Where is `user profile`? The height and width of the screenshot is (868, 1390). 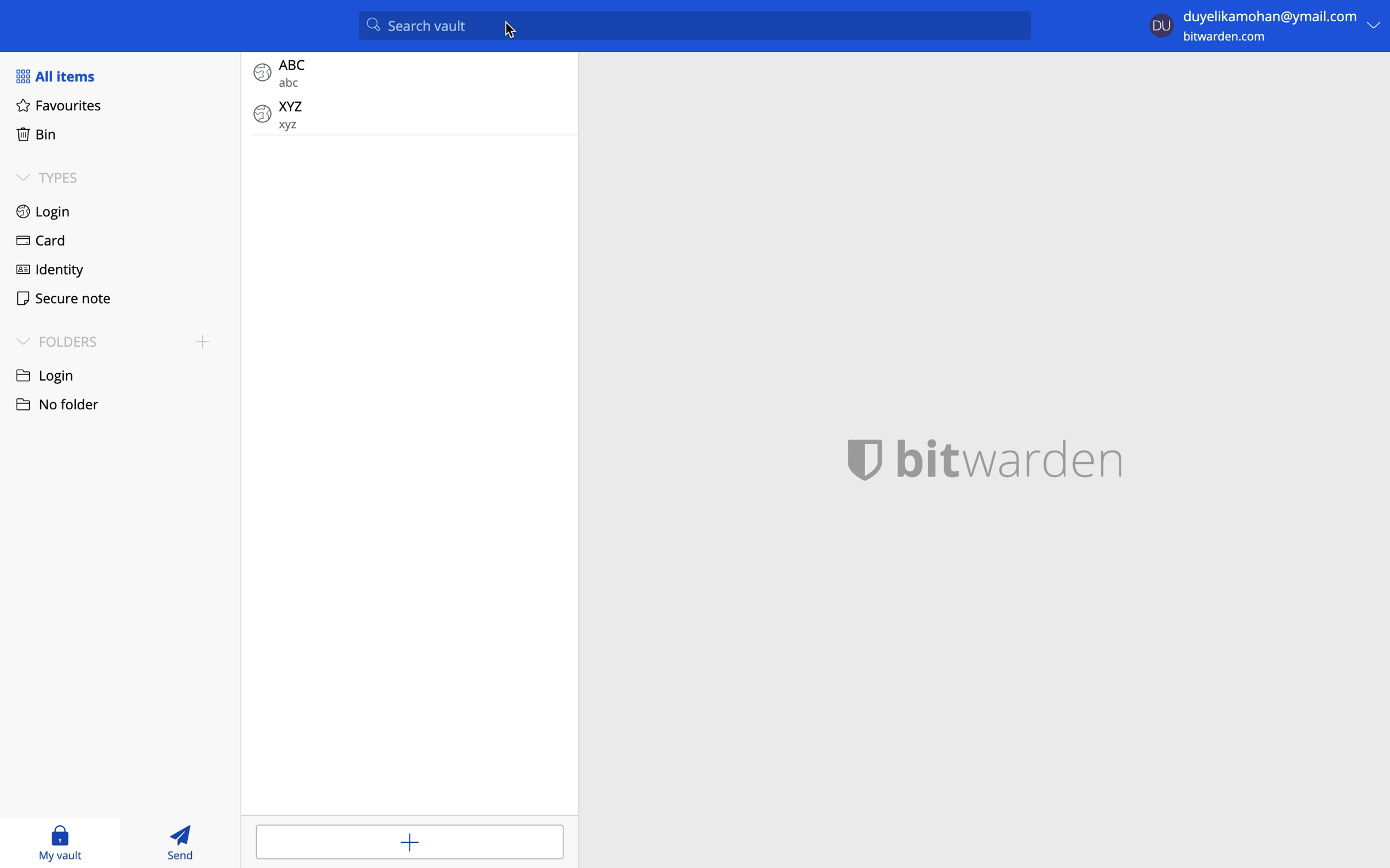
user profile is located at coordinates (1160, 24).